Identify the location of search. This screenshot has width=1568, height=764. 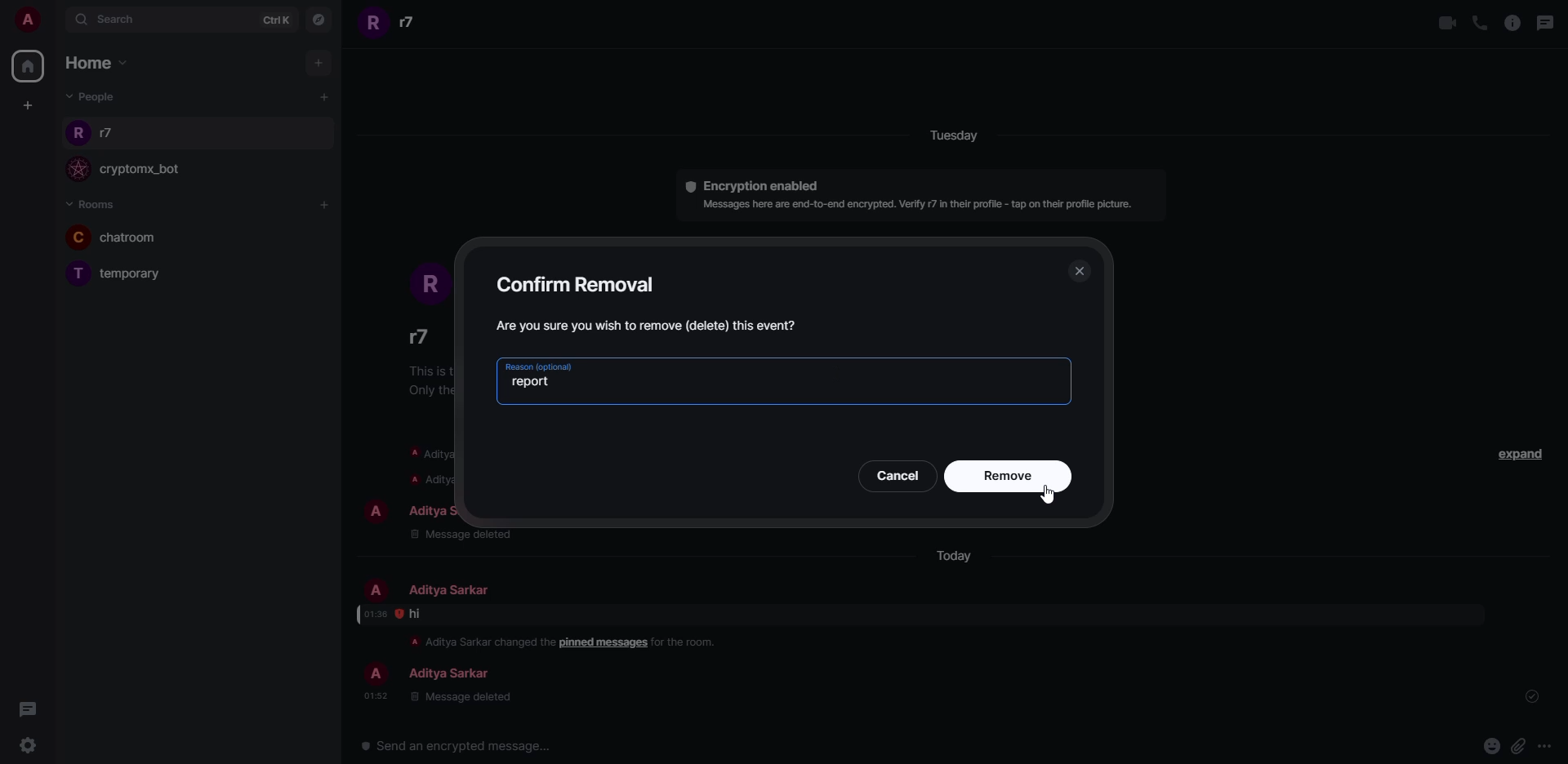
(114, 19).